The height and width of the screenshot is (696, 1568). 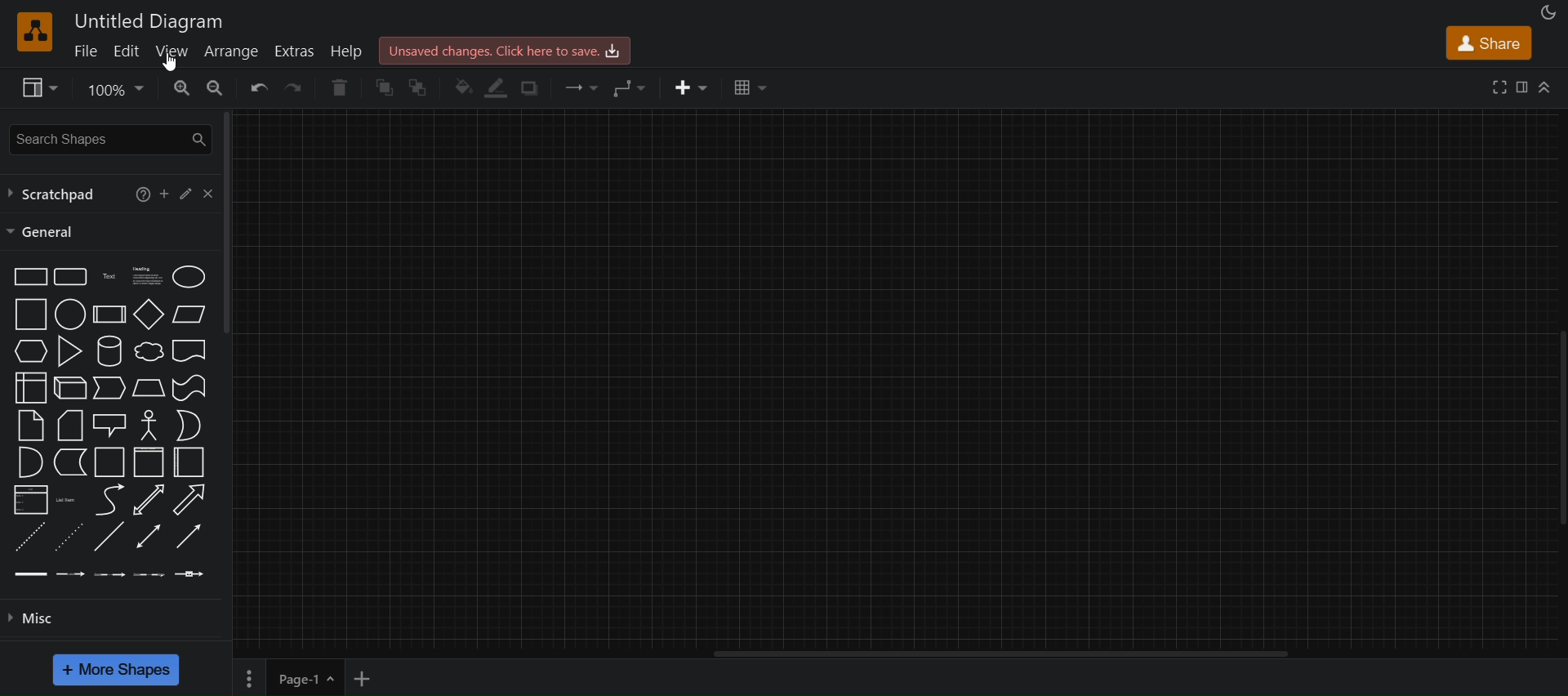 What do you see at coordinates (385, 86) in the screenshot?
I see `to front` at bounding box center [385, 86].